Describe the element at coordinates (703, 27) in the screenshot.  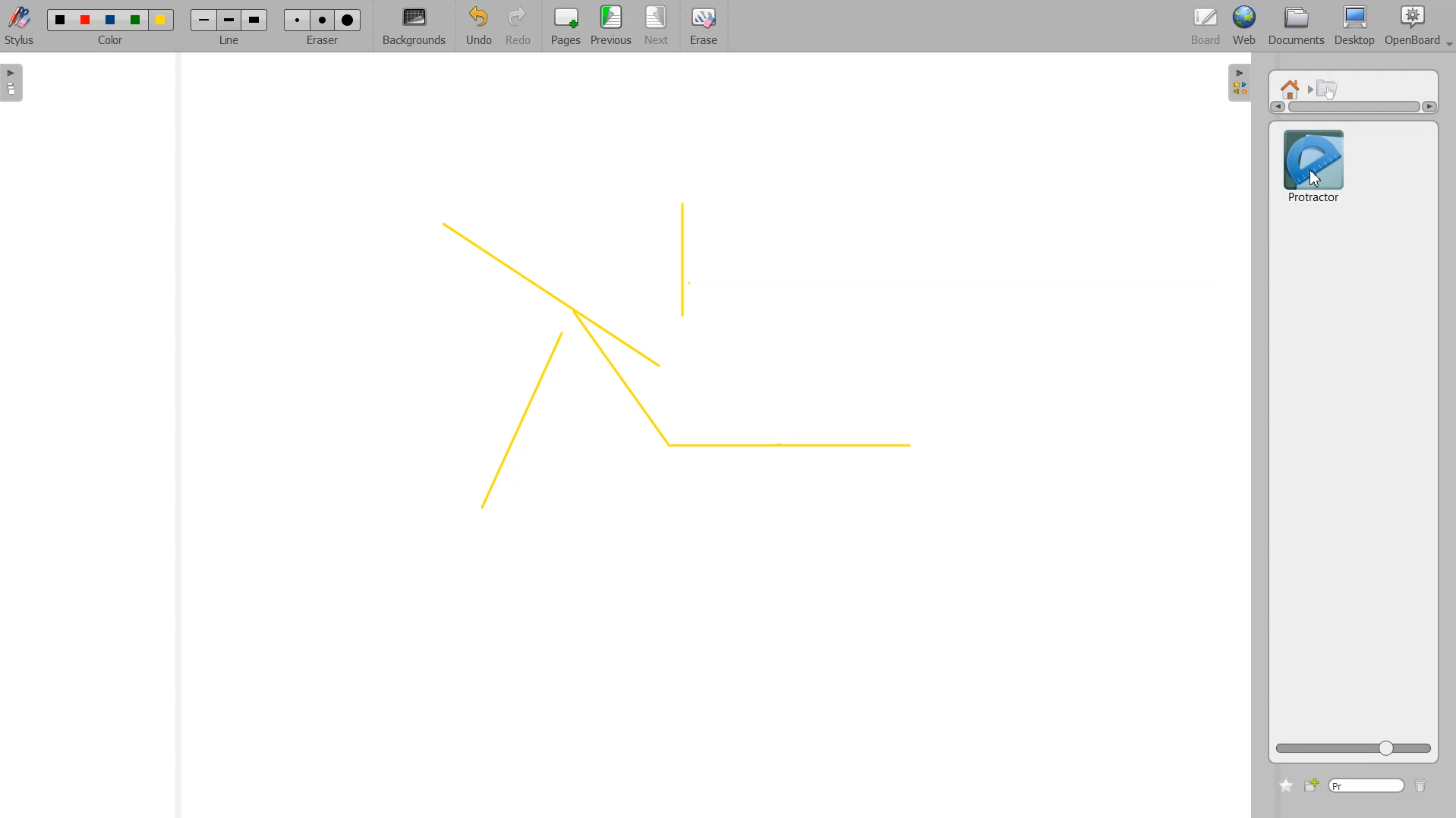
I see `Erase` at that location.